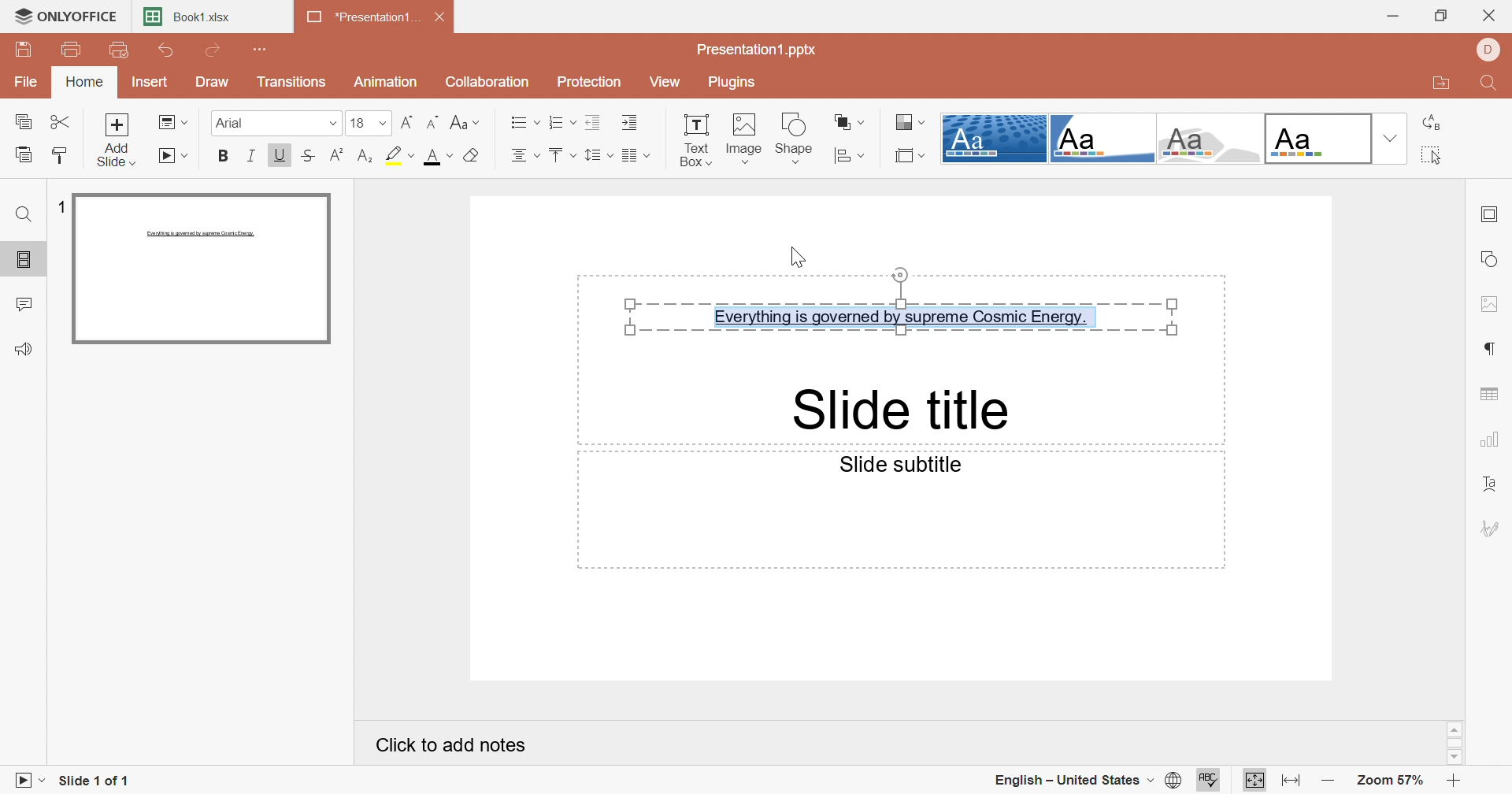  I want to click on Slide 1, so click(202, 269).